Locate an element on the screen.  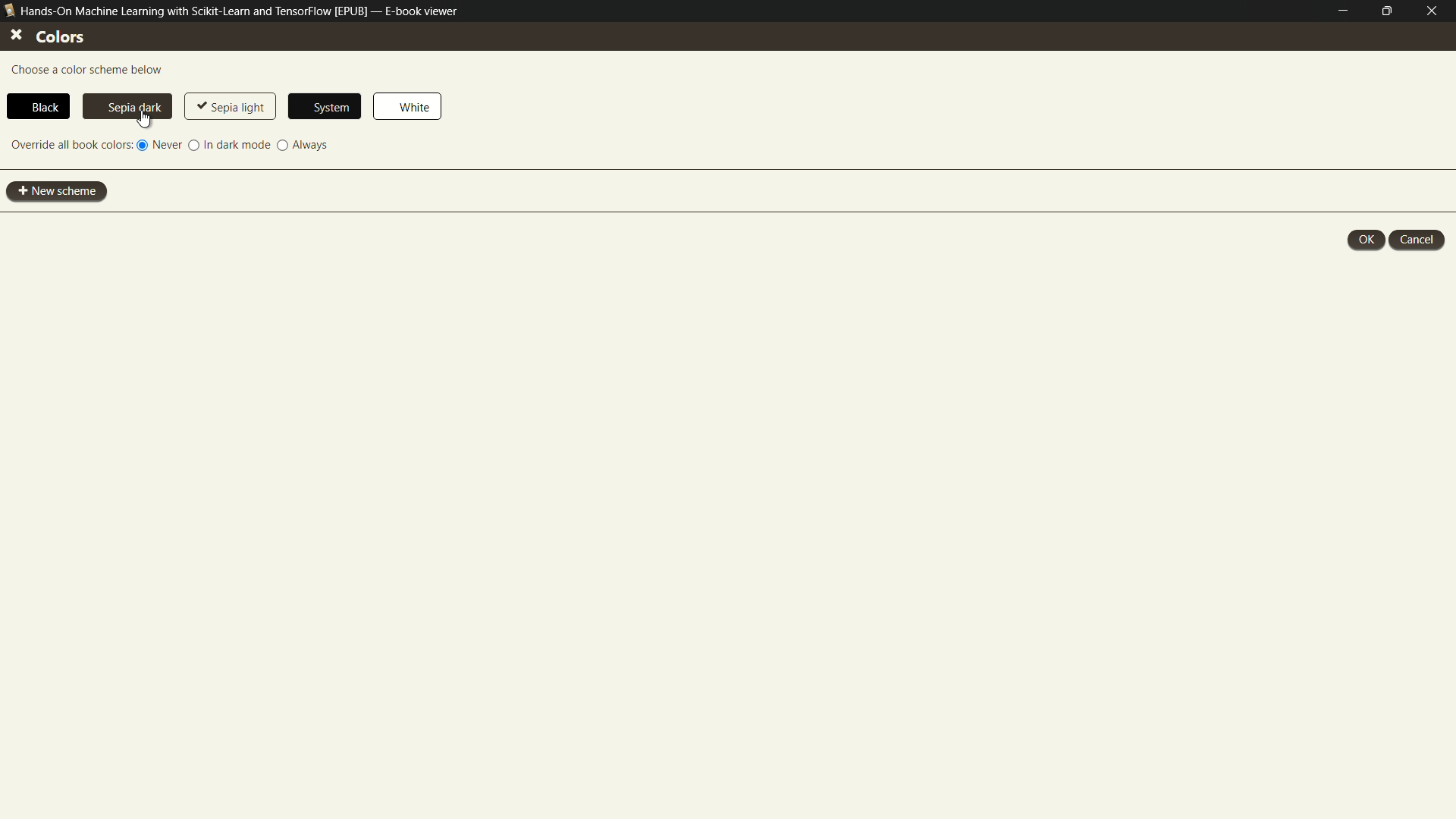
cancel is located at coordinates (1418, 240).